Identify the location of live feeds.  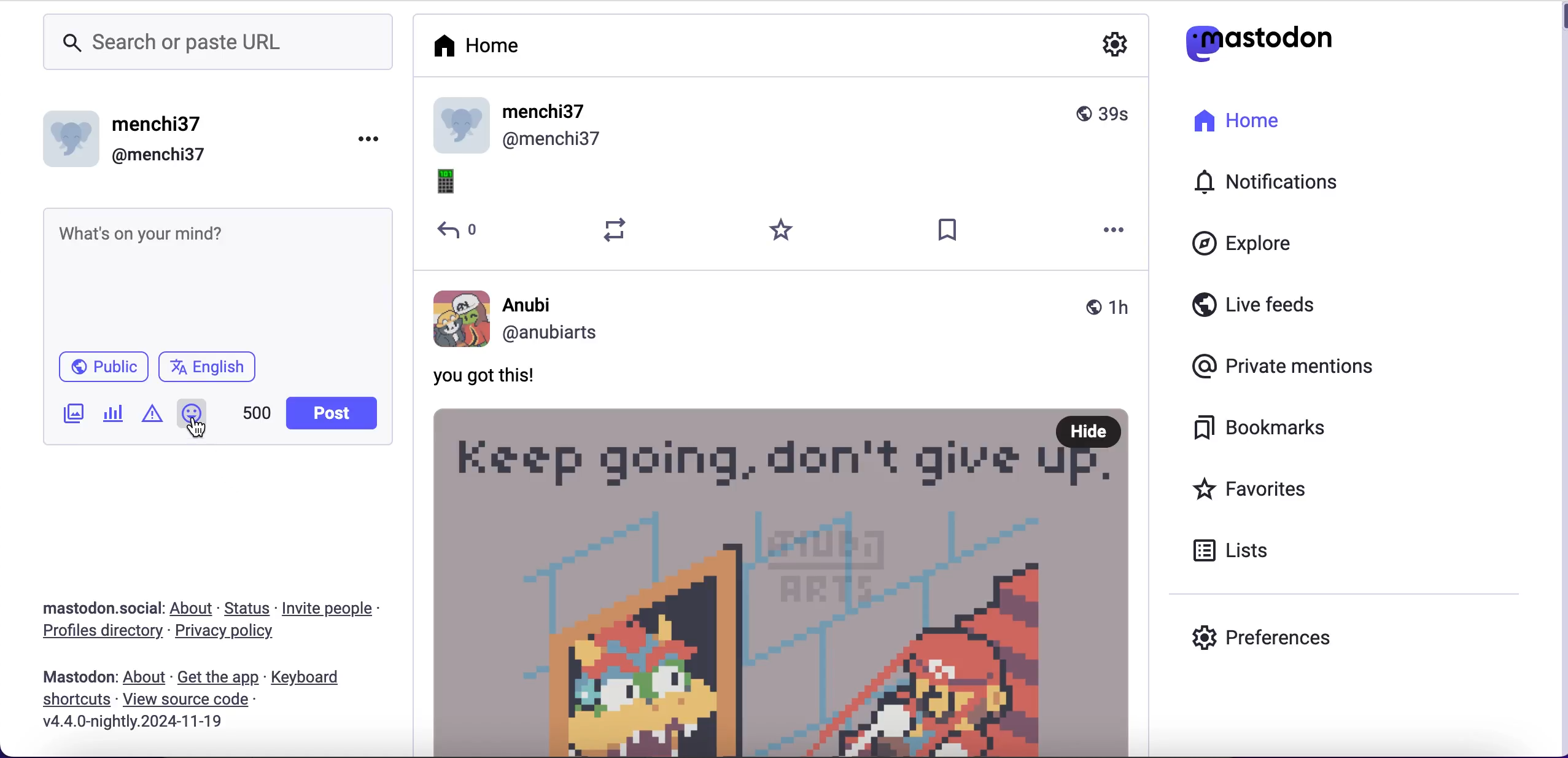
(1260, 304).